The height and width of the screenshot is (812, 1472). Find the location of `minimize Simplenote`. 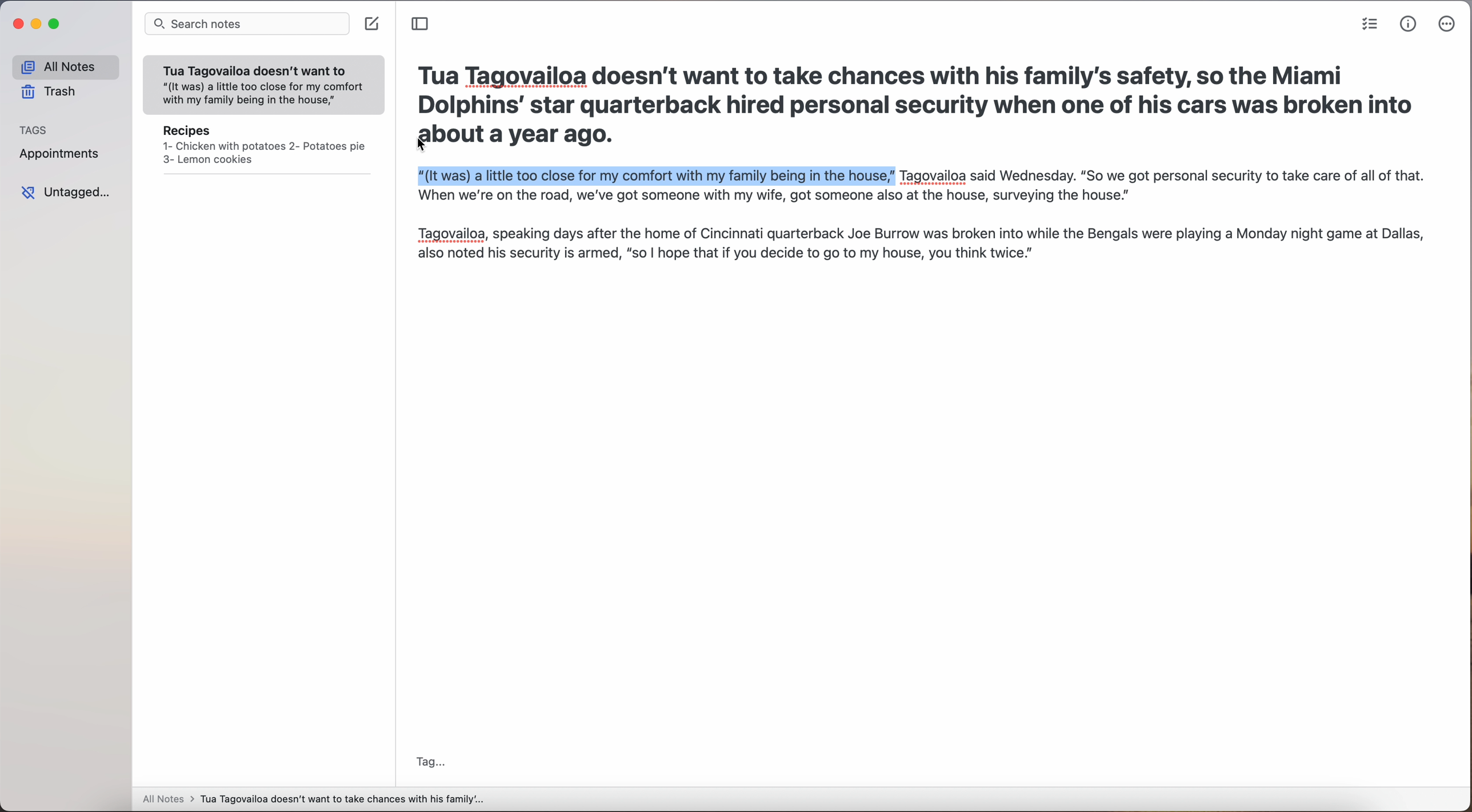

minimize Simplenote is located at coordinates (38, 24).